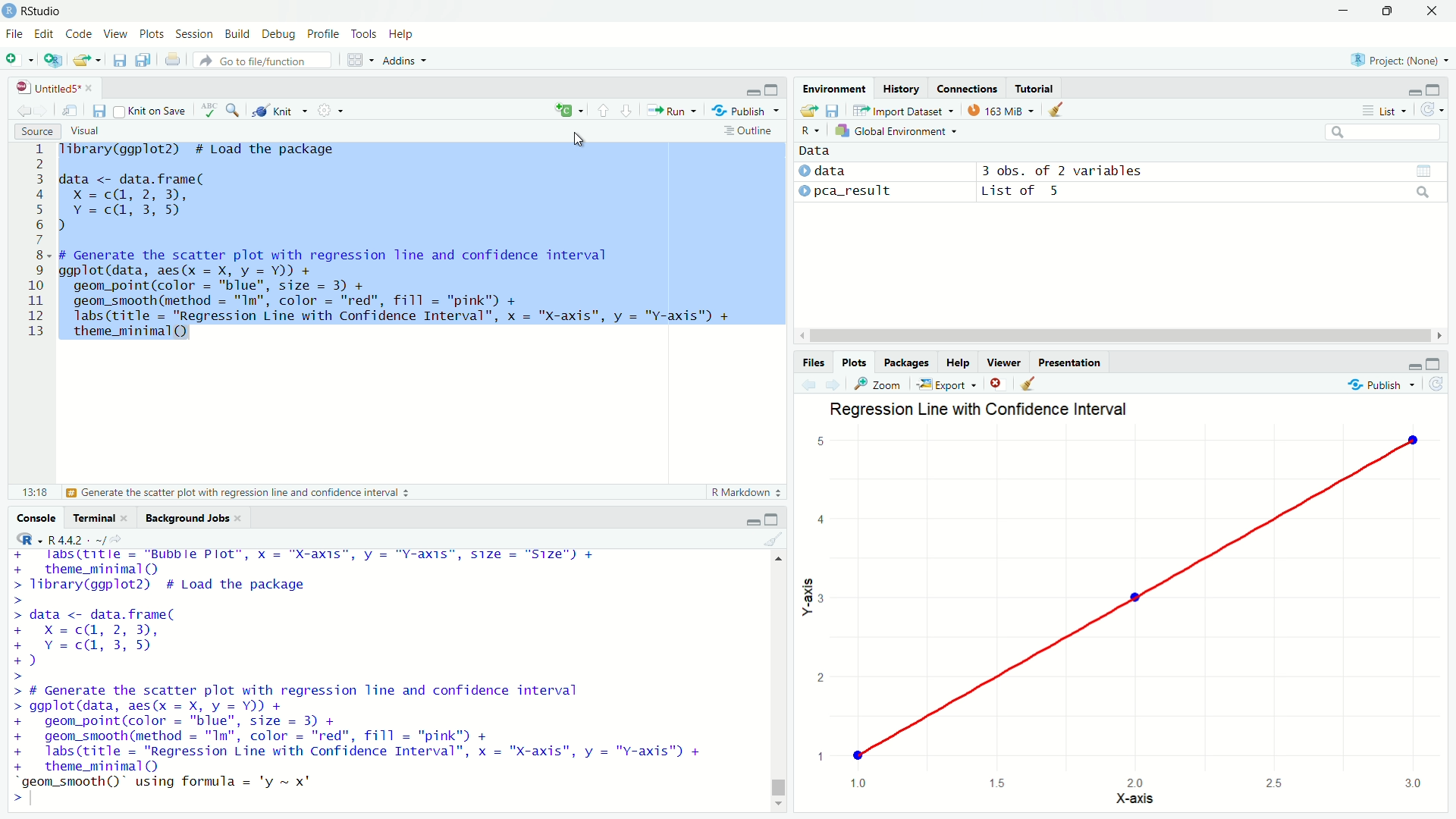  What do you see at coordinates (1382, 384) in the screenshot?
I see `Publish` at bounding box center [1382, 384].